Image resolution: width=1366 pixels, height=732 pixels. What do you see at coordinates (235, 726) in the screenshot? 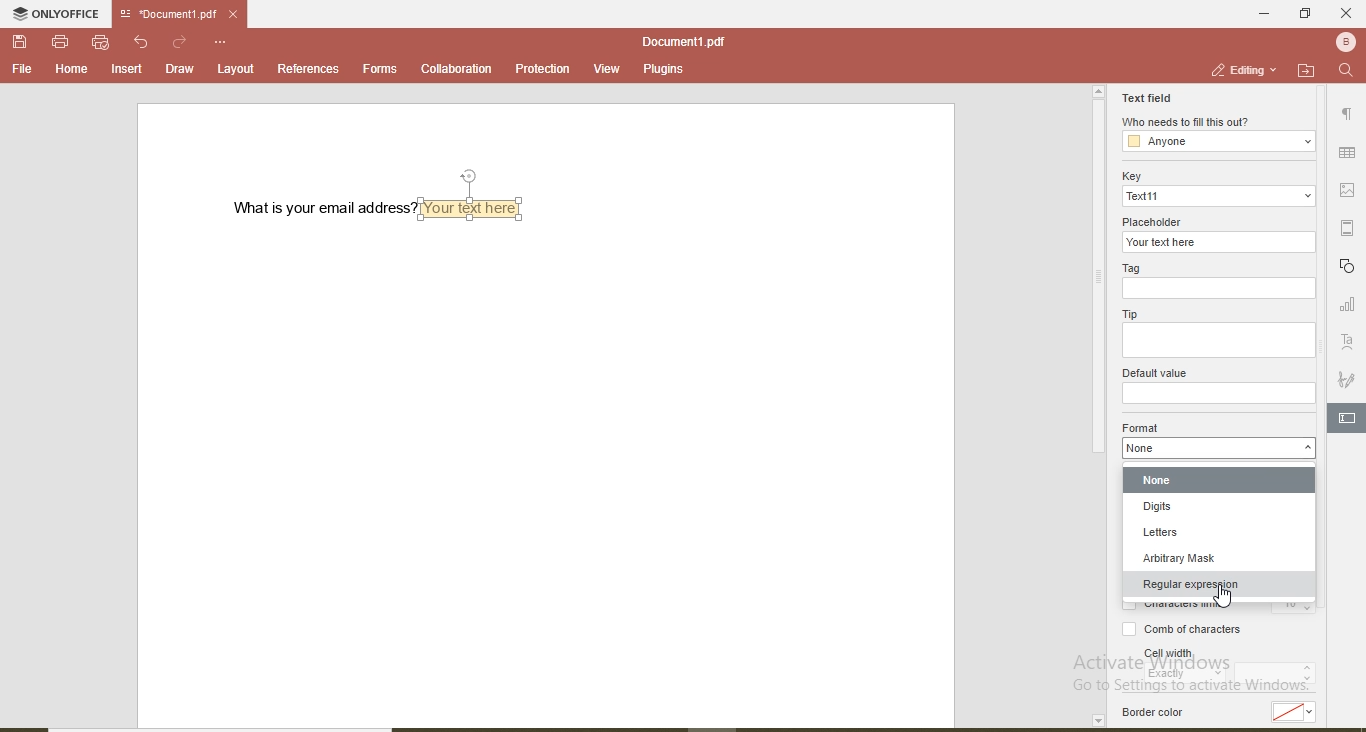
I see `horizontal scroll bar` at bounding box center [235, 726].